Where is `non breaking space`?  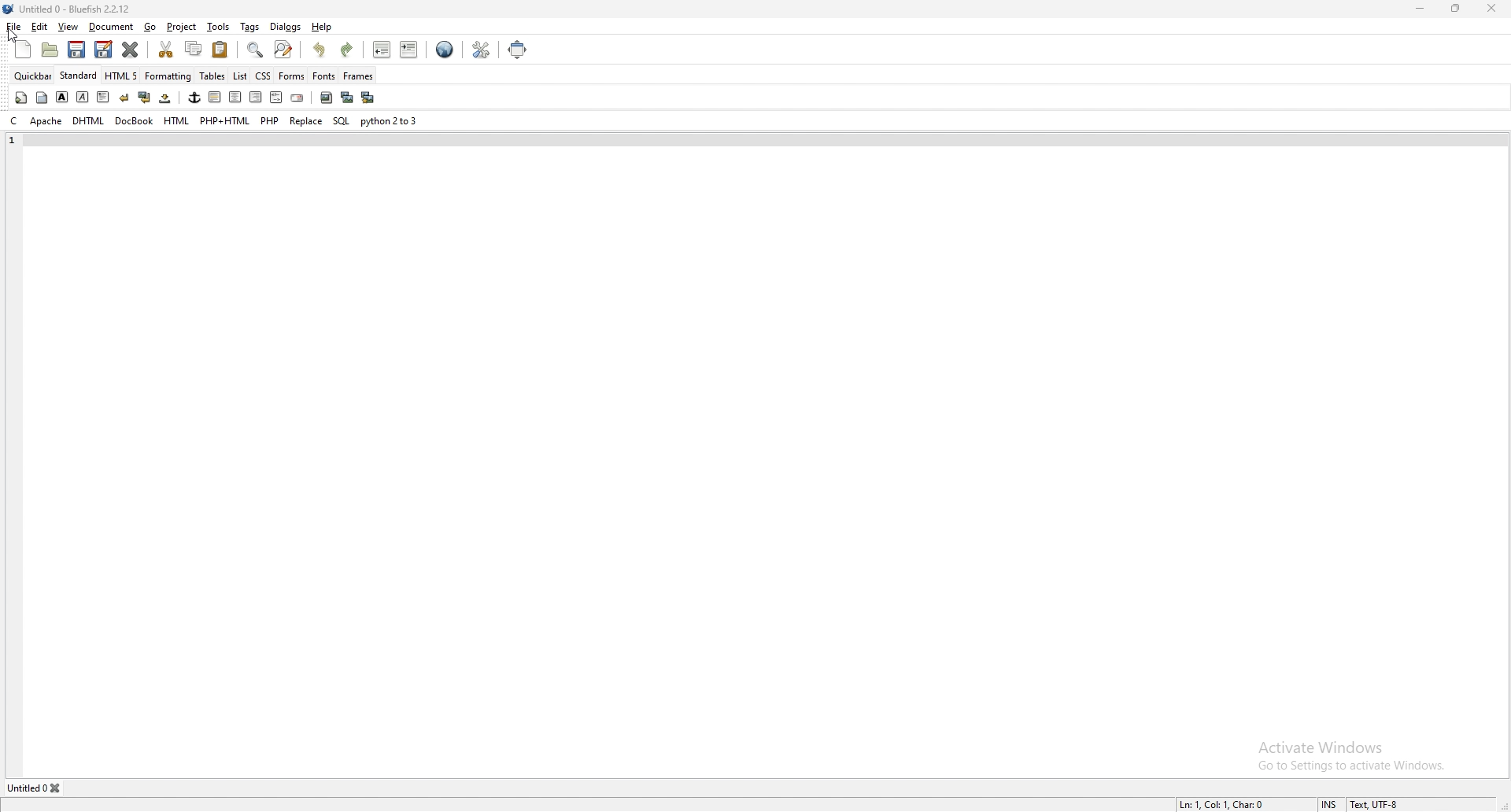 non breaking space is located at coordinates (166, 98).